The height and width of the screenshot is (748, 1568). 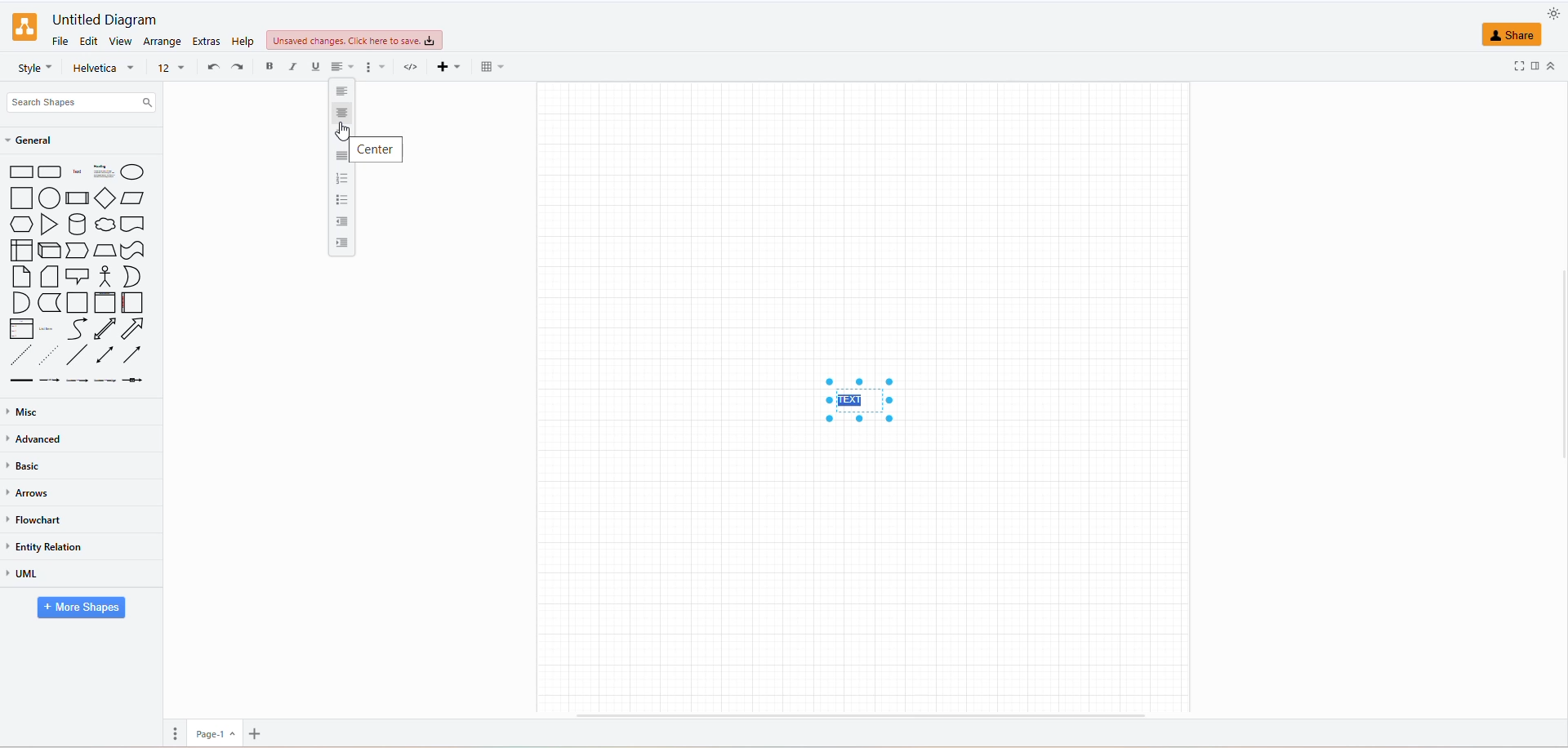 What do you see at coordinates (344, 178) in the screenshot?
I see `numbered list` at bounding box center [344, 178].